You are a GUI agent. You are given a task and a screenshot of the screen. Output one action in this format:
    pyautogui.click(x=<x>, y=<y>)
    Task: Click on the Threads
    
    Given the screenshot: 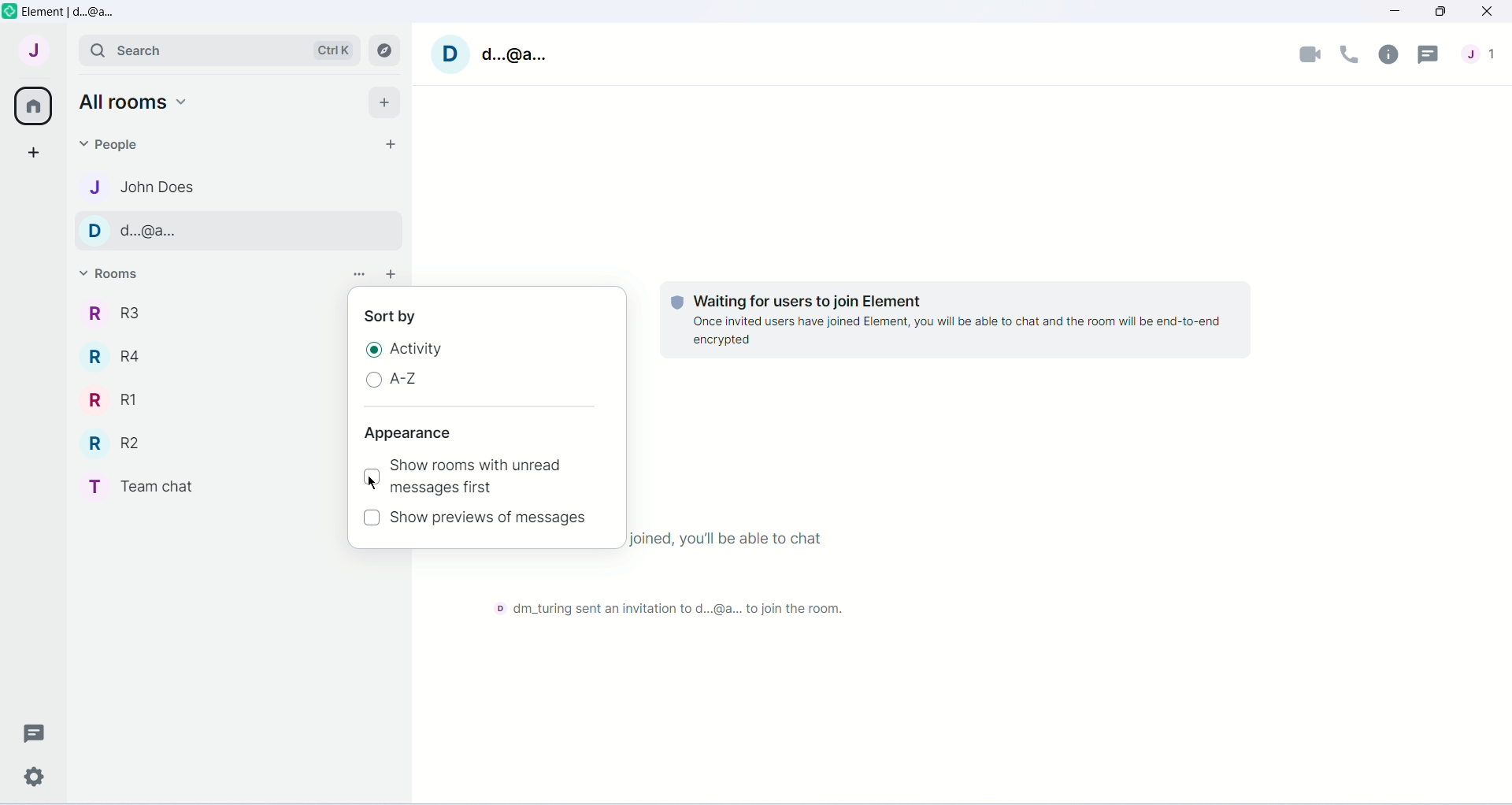 What is the action you would take?
    pyautogui.click(x=31, y=733)
    